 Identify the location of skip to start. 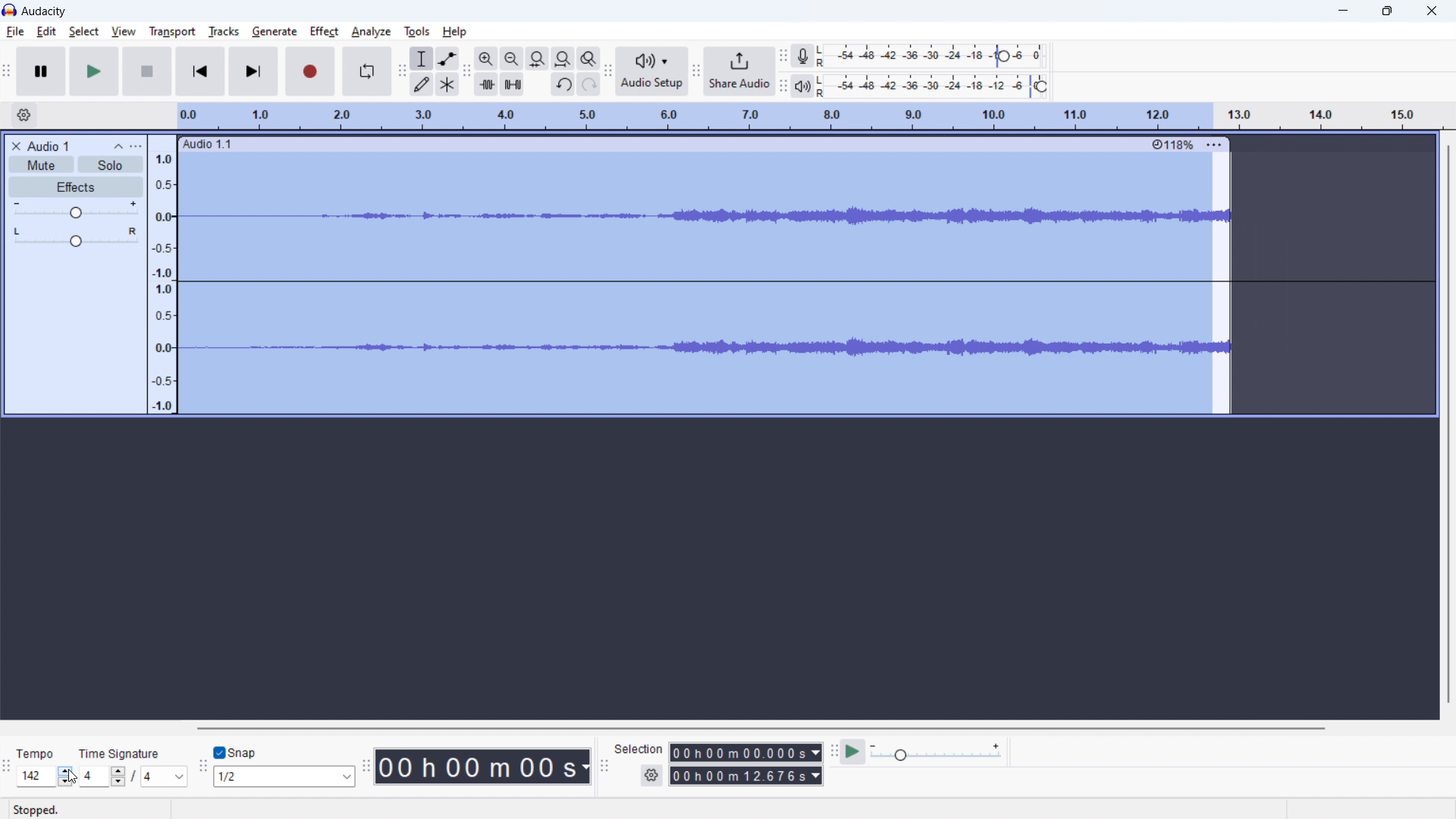
(201, 71).